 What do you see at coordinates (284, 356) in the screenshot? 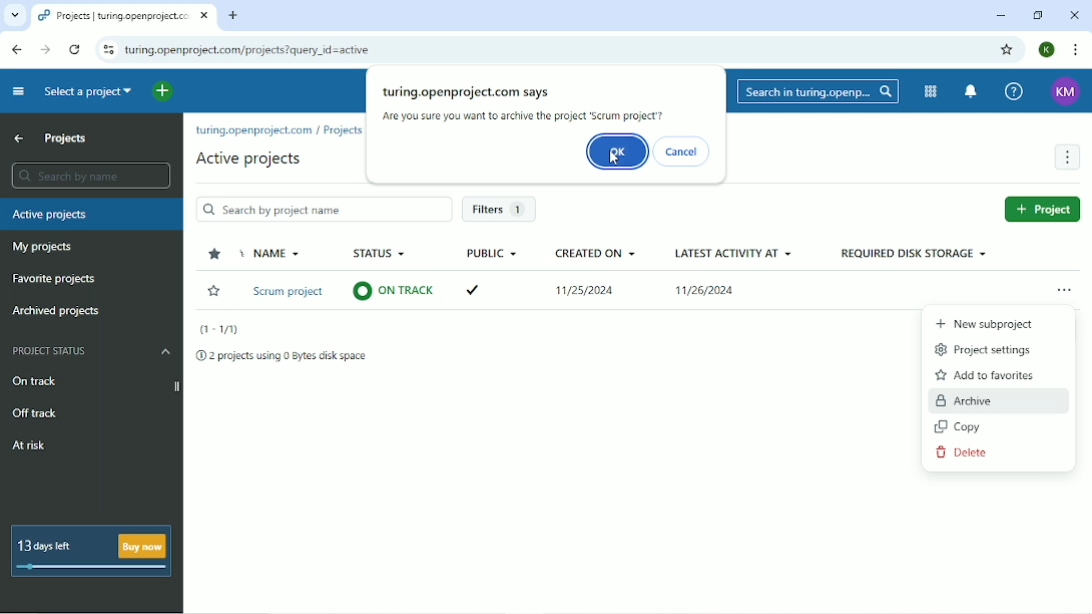
I see `2 projects using 0 Bytes disk space` at bounding box center [284, 356].